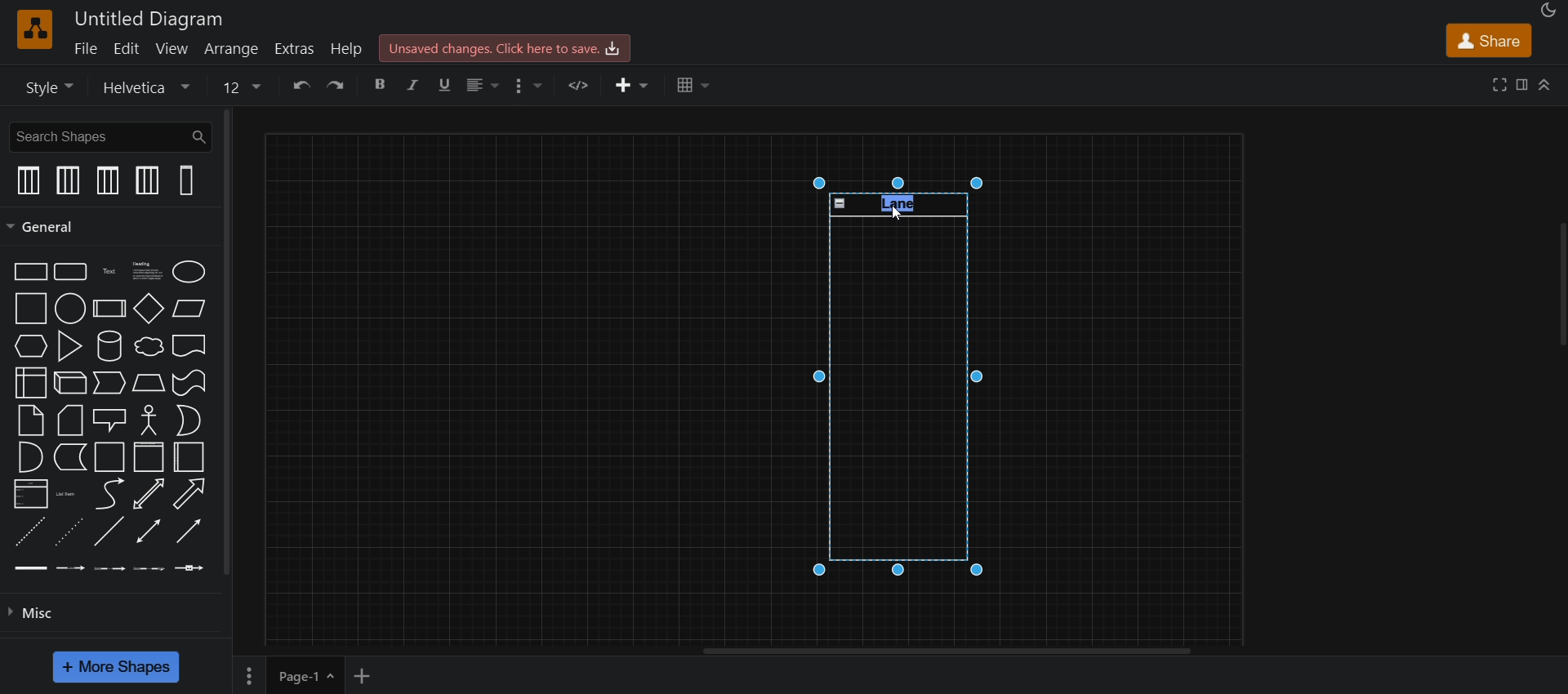 The height and width of the screenshot is (694, 1568). I want to click on internal storage, so click(30, 383).